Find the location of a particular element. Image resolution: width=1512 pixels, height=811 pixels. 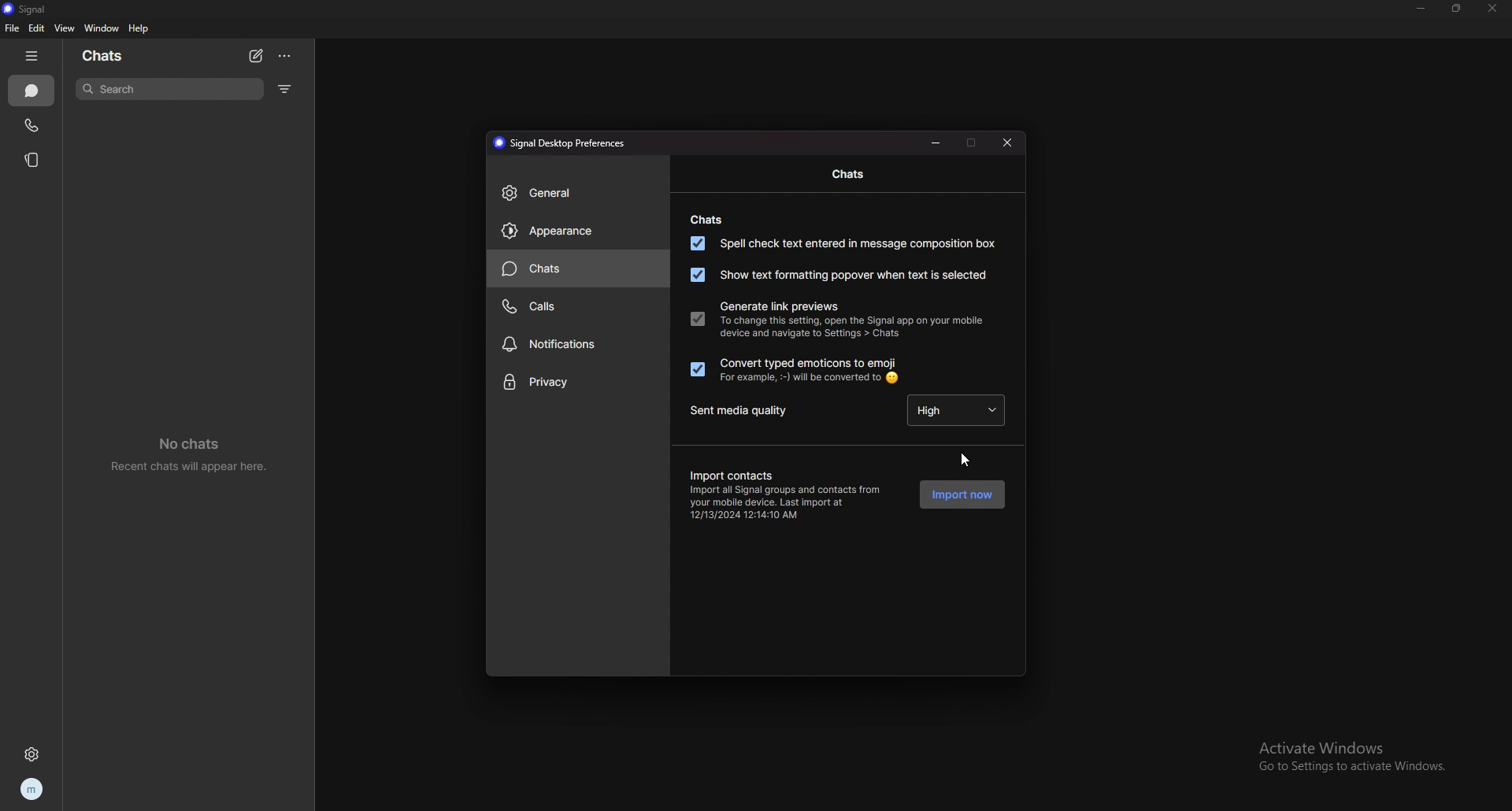

hide tab is located at coordinates (32, 56).